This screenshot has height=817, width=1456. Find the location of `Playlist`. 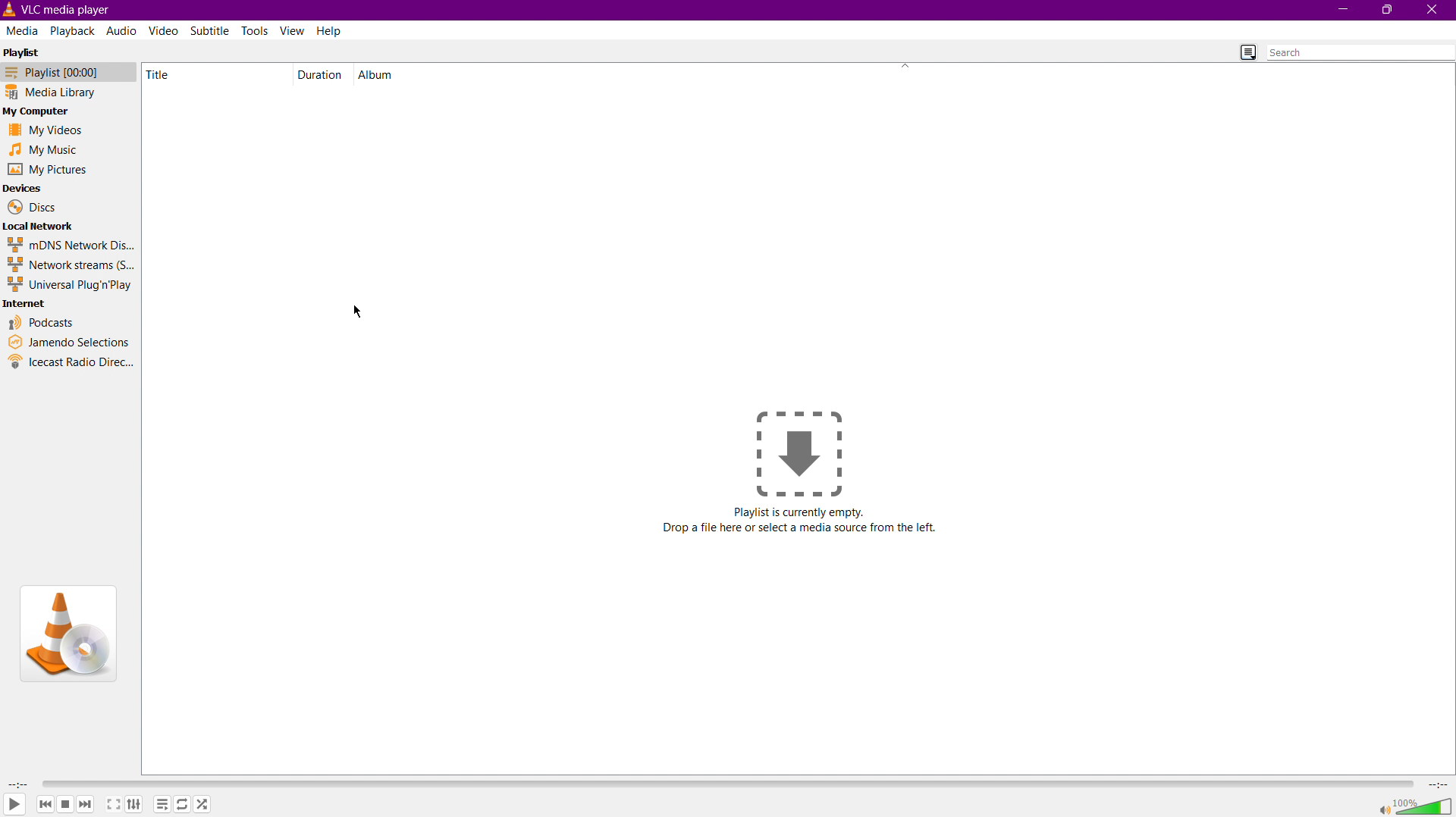

Playlist is located at coordinates (23, 51).